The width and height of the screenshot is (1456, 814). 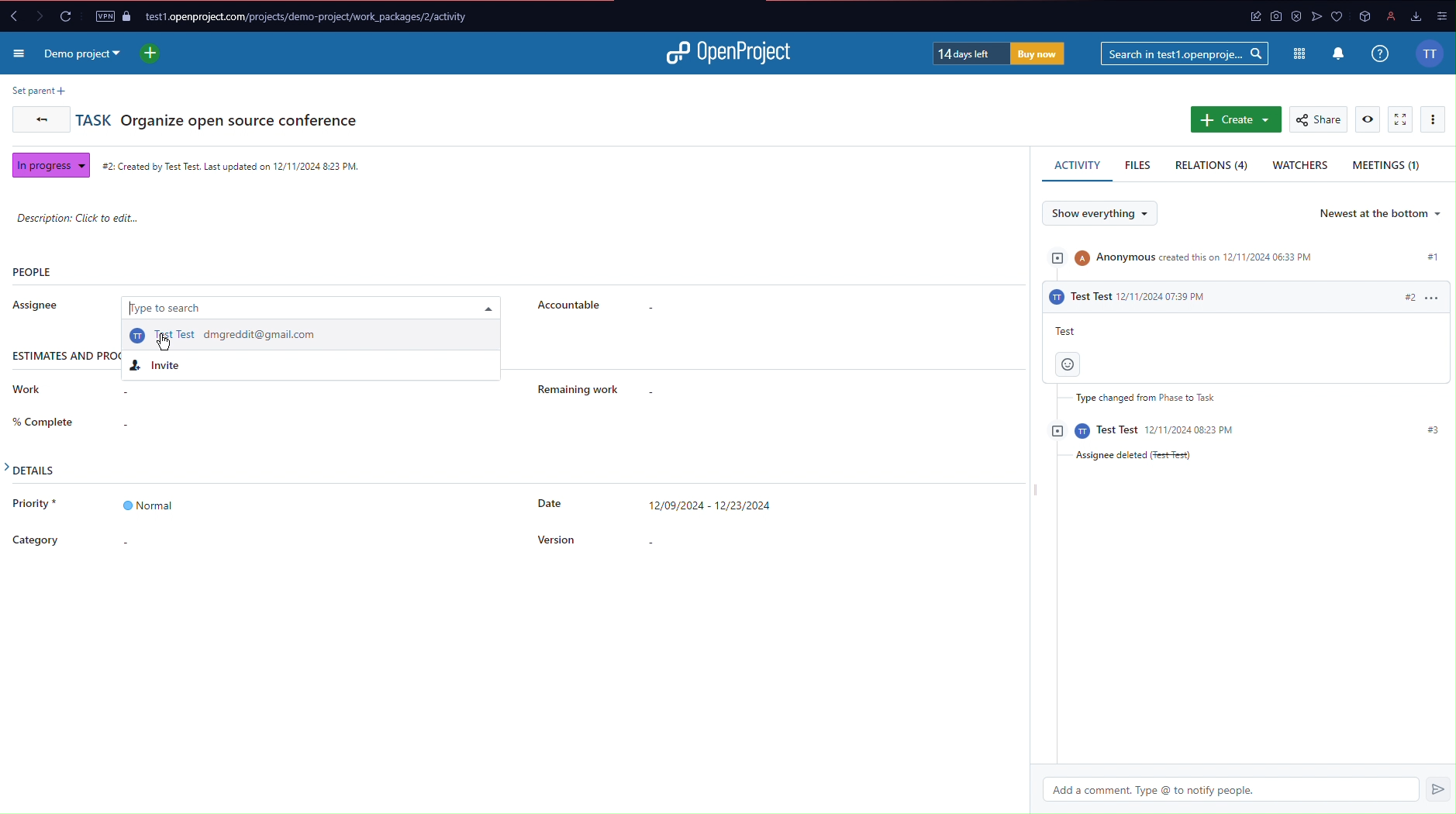 I want to click on Searchbar, so click(x=1185, y=54).